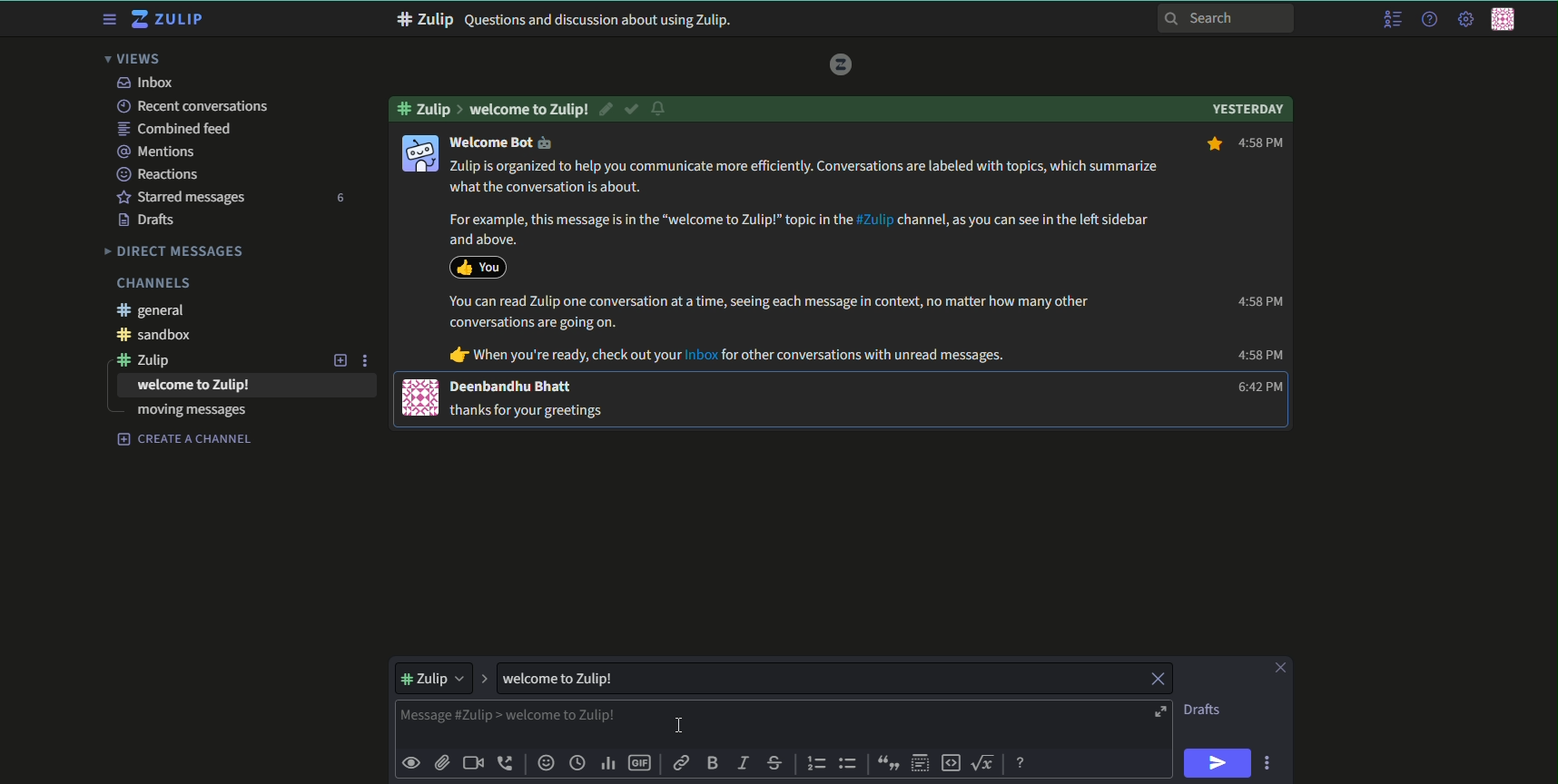 The height and width of the screenshot is (784, 1558). What do you see at coordinates (192, 412) in the screenshot?
I see `moving messages` at bounding box center [192, 412].